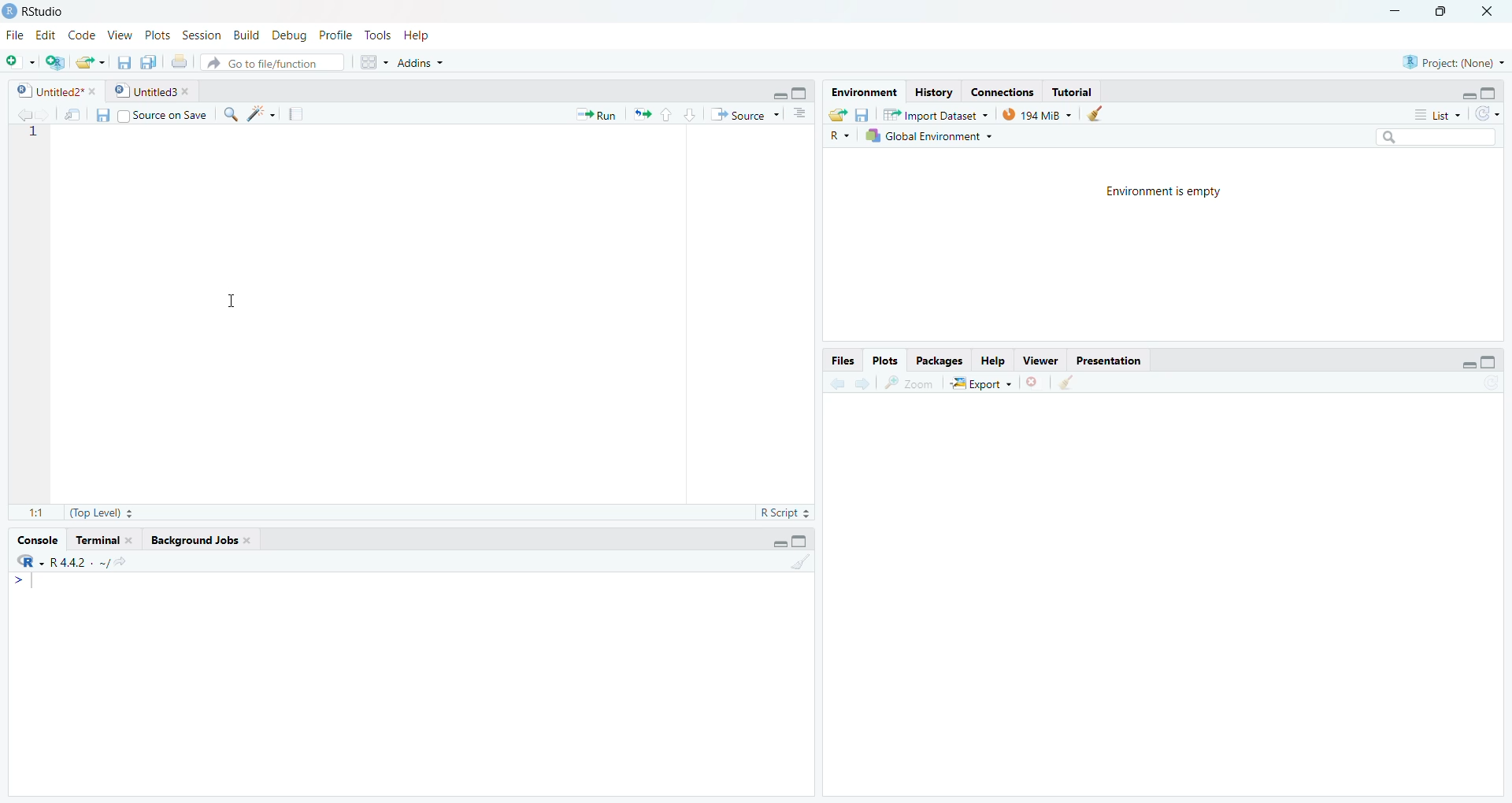 This screenshot has width=1512, height=803. I want to click on Cursor, so click(231, 302).